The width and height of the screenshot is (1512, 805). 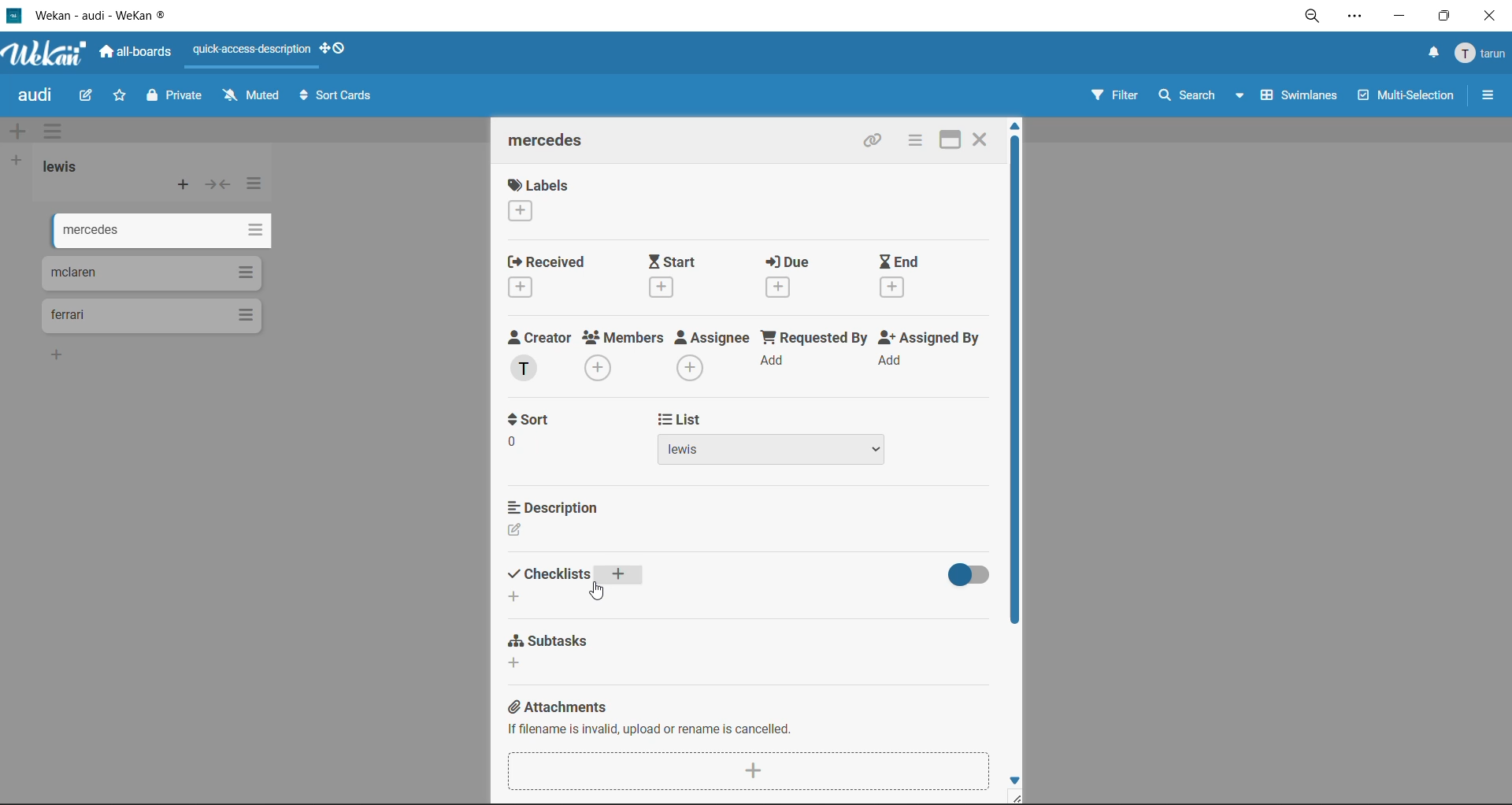 What do you see at coordinates (902, 277) in the screenshot?
I see `end` at bounding box center [902, 277].